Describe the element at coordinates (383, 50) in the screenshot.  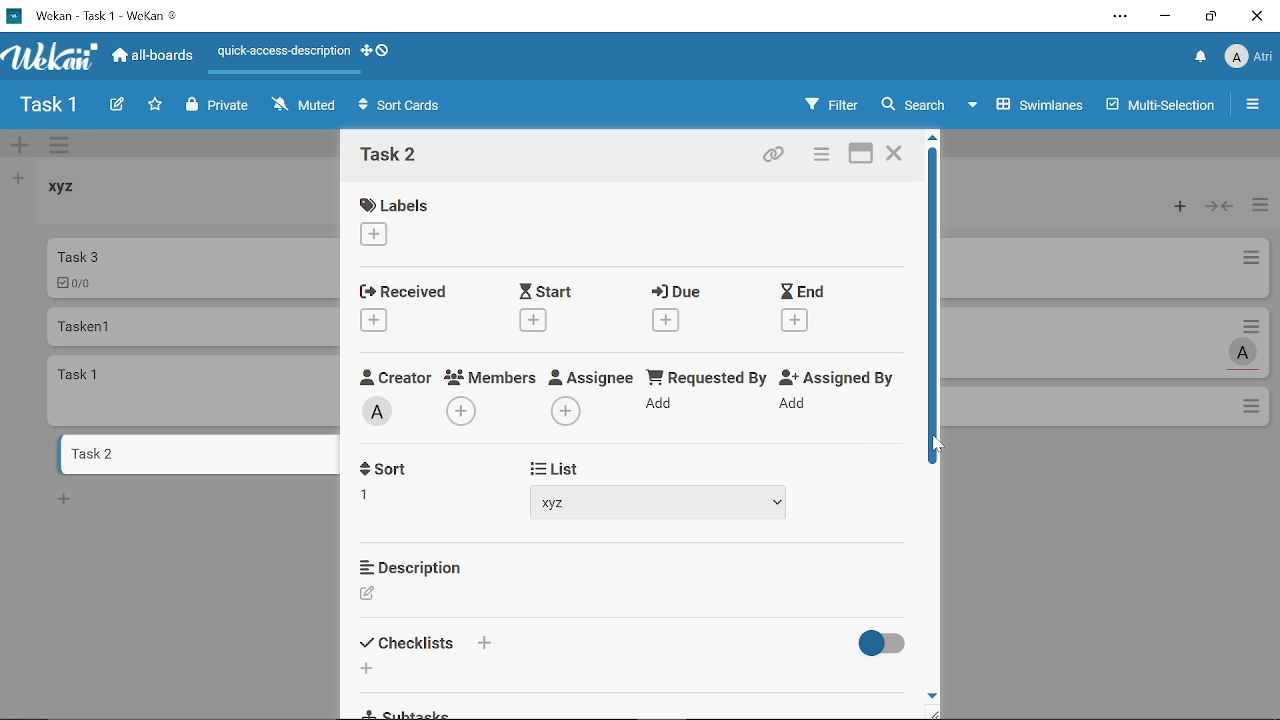
I see `Show desktop drag handlws` at that location.